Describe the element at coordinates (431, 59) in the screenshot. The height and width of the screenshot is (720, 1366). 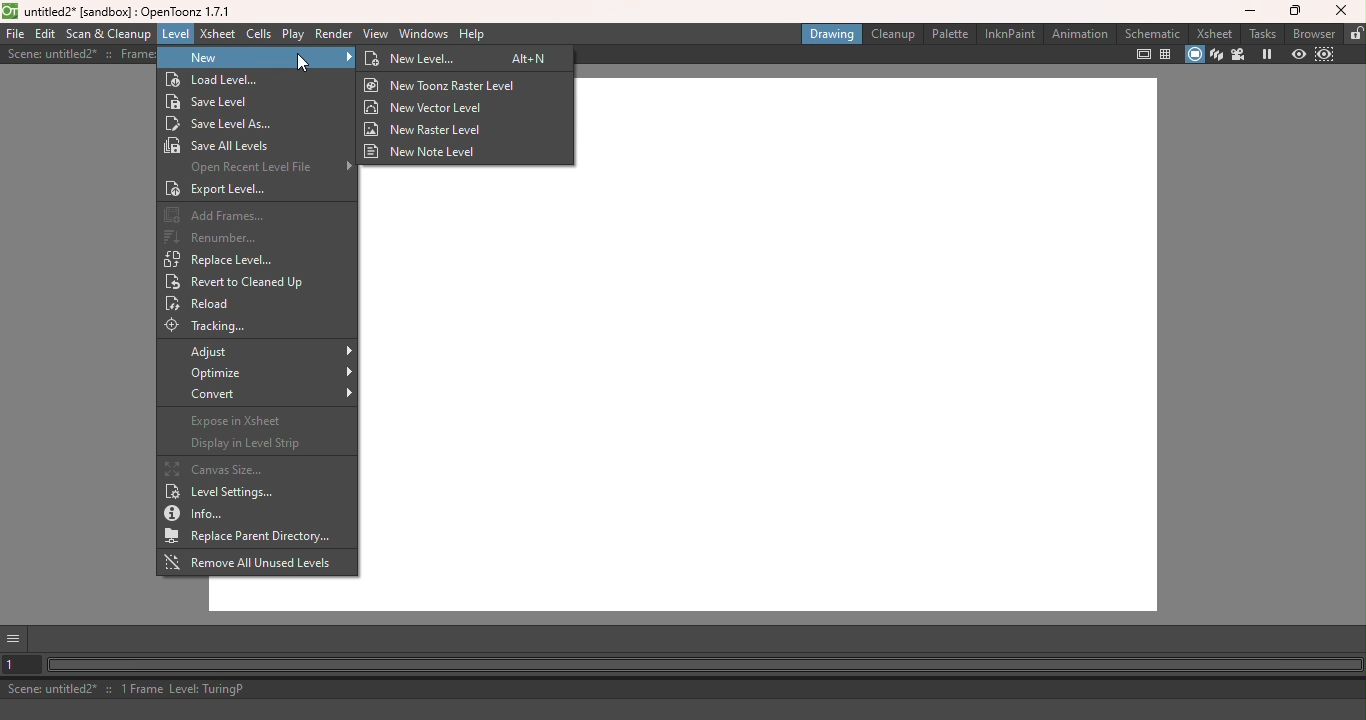
I see `New level` at that location.